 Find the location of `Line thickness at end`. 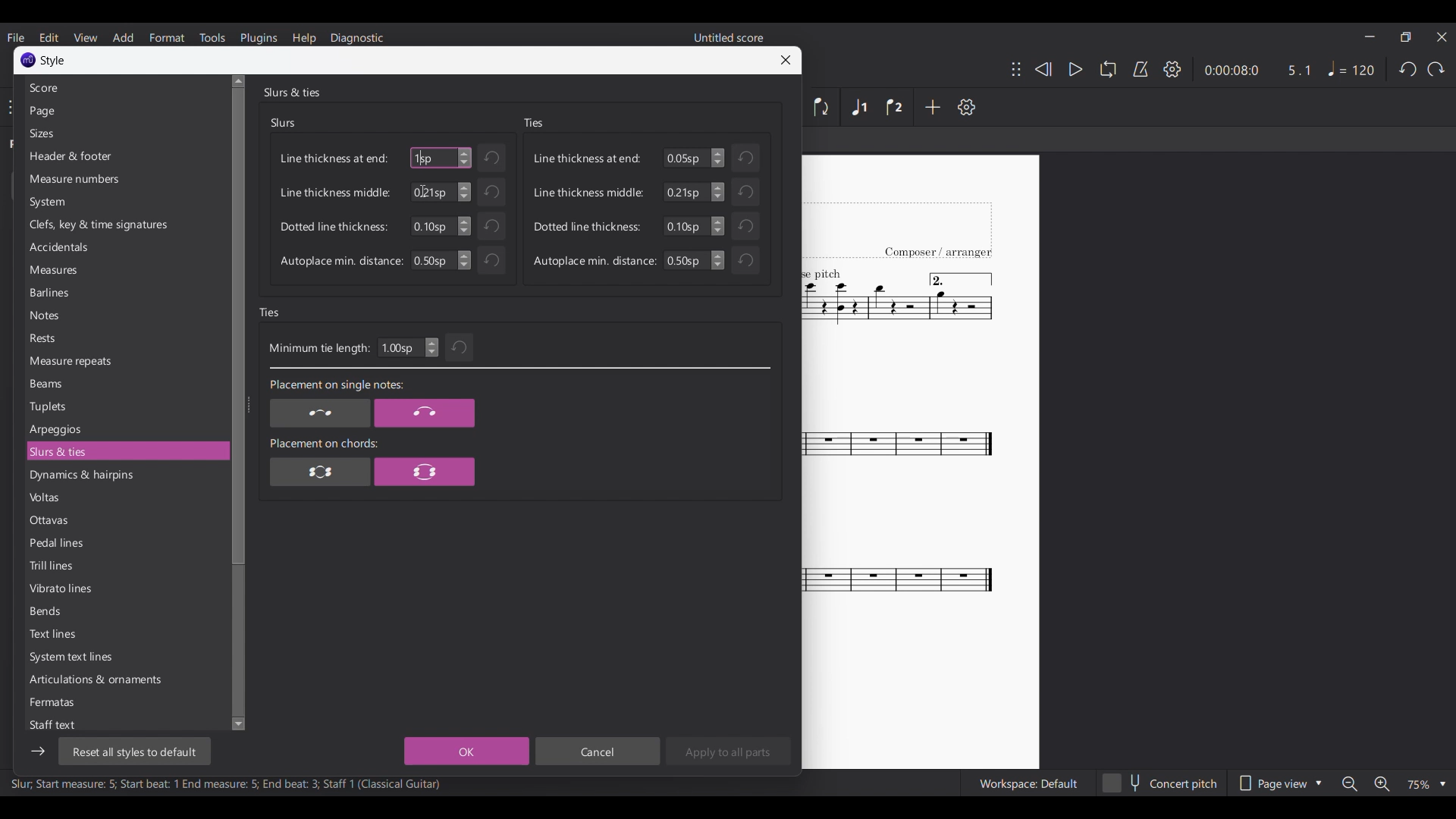

Line thickness at end is located at coordinates (334, 158).